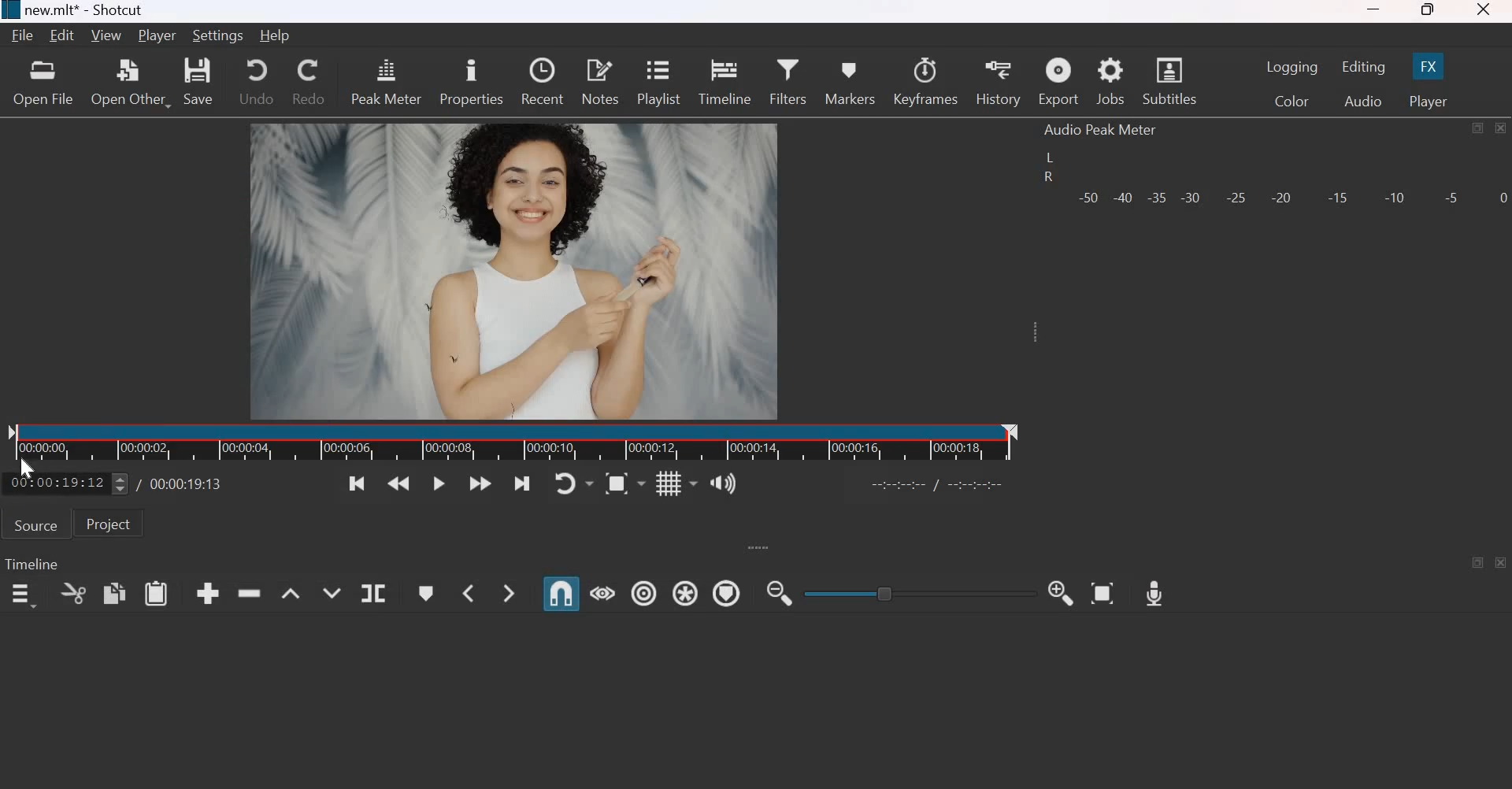 This screenshot has height=789, width=1512. Describe the element at coordinates (307, 80) in the screenshot. I see `redo` at that location.